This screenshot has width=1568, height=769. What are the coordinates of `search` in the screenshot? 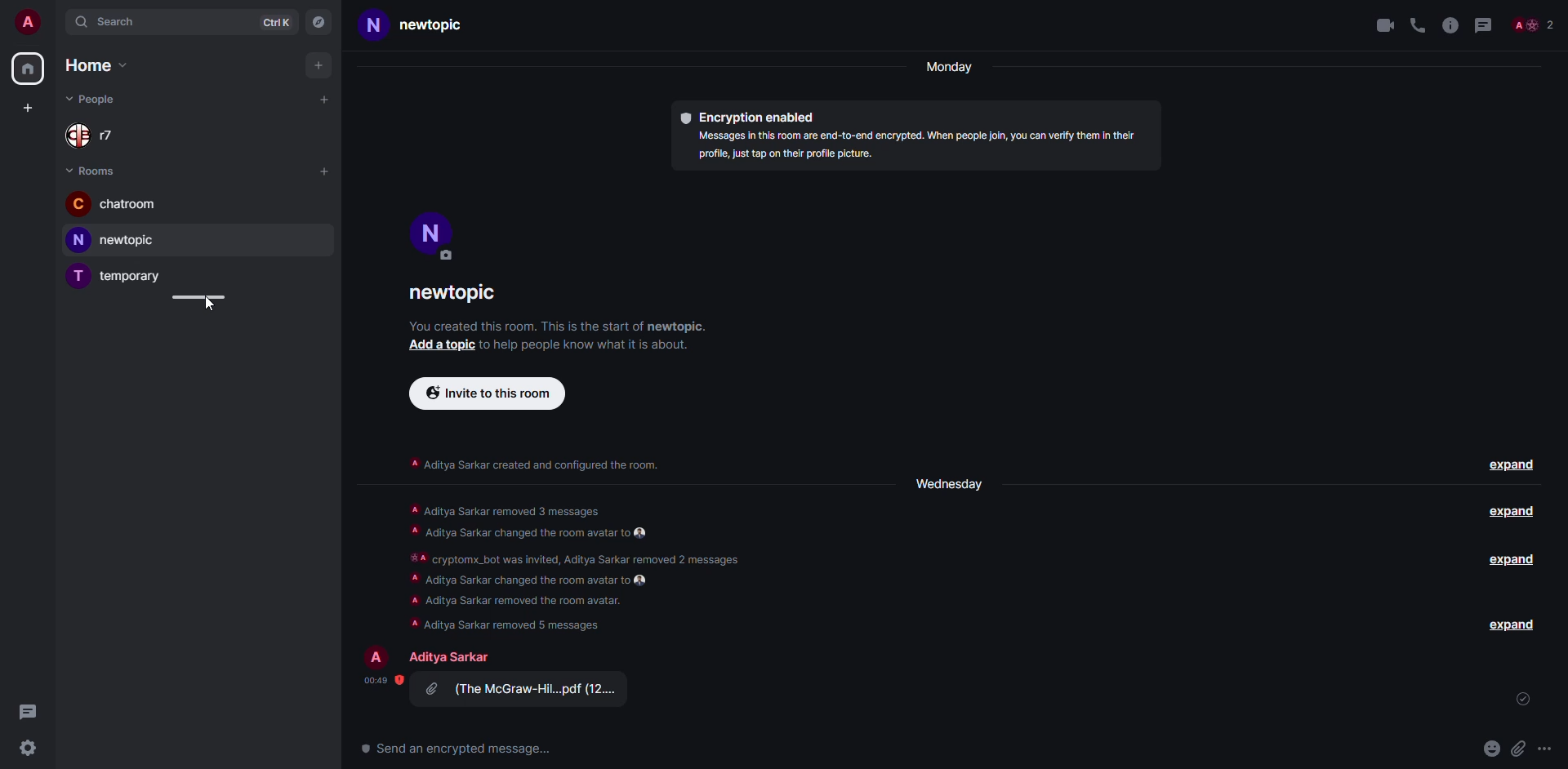 It's located at (109, 22).